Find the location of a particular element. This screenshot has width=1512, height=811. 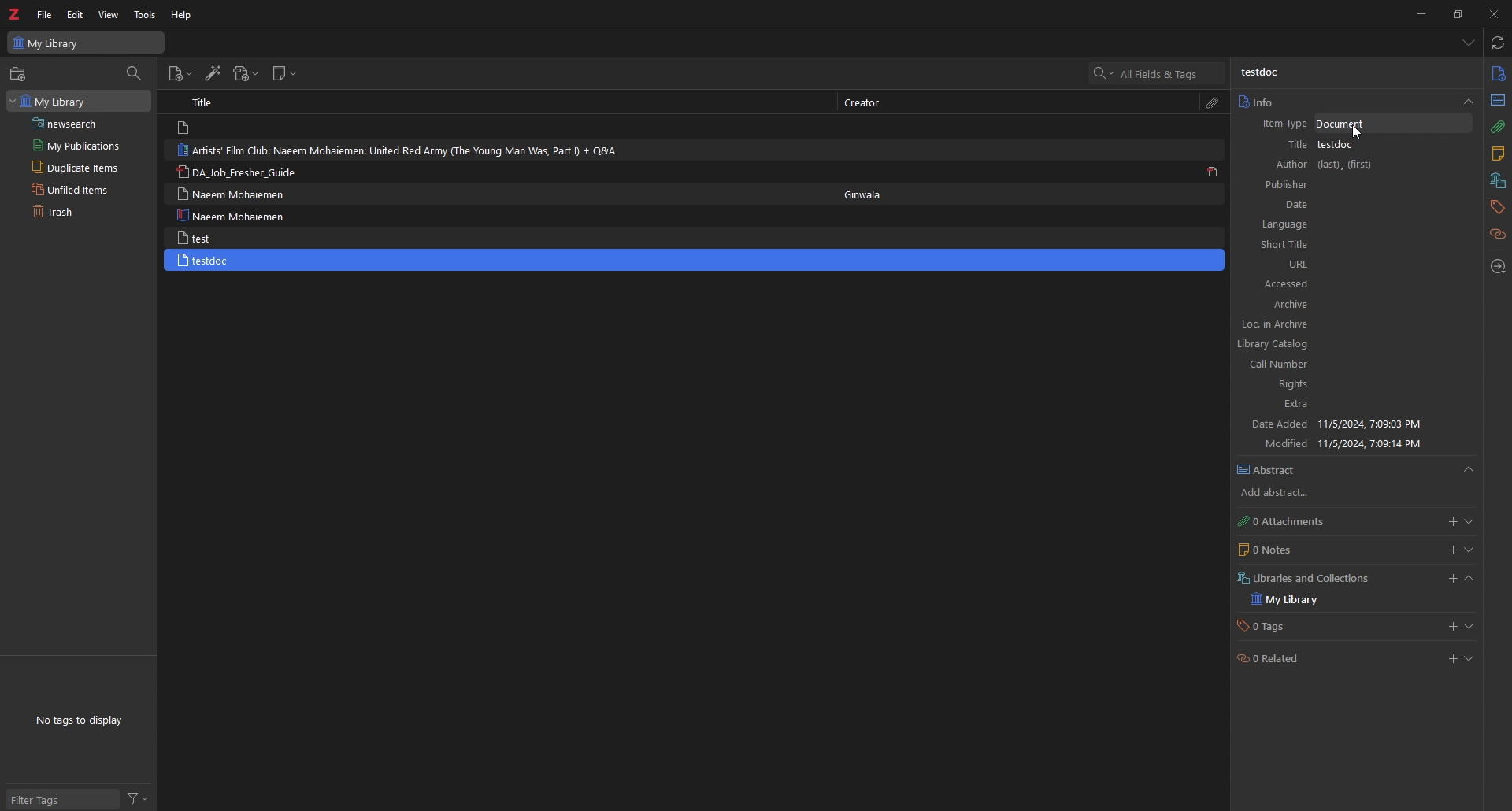

Libraries and Collections is located at coordinates (1312, 578).